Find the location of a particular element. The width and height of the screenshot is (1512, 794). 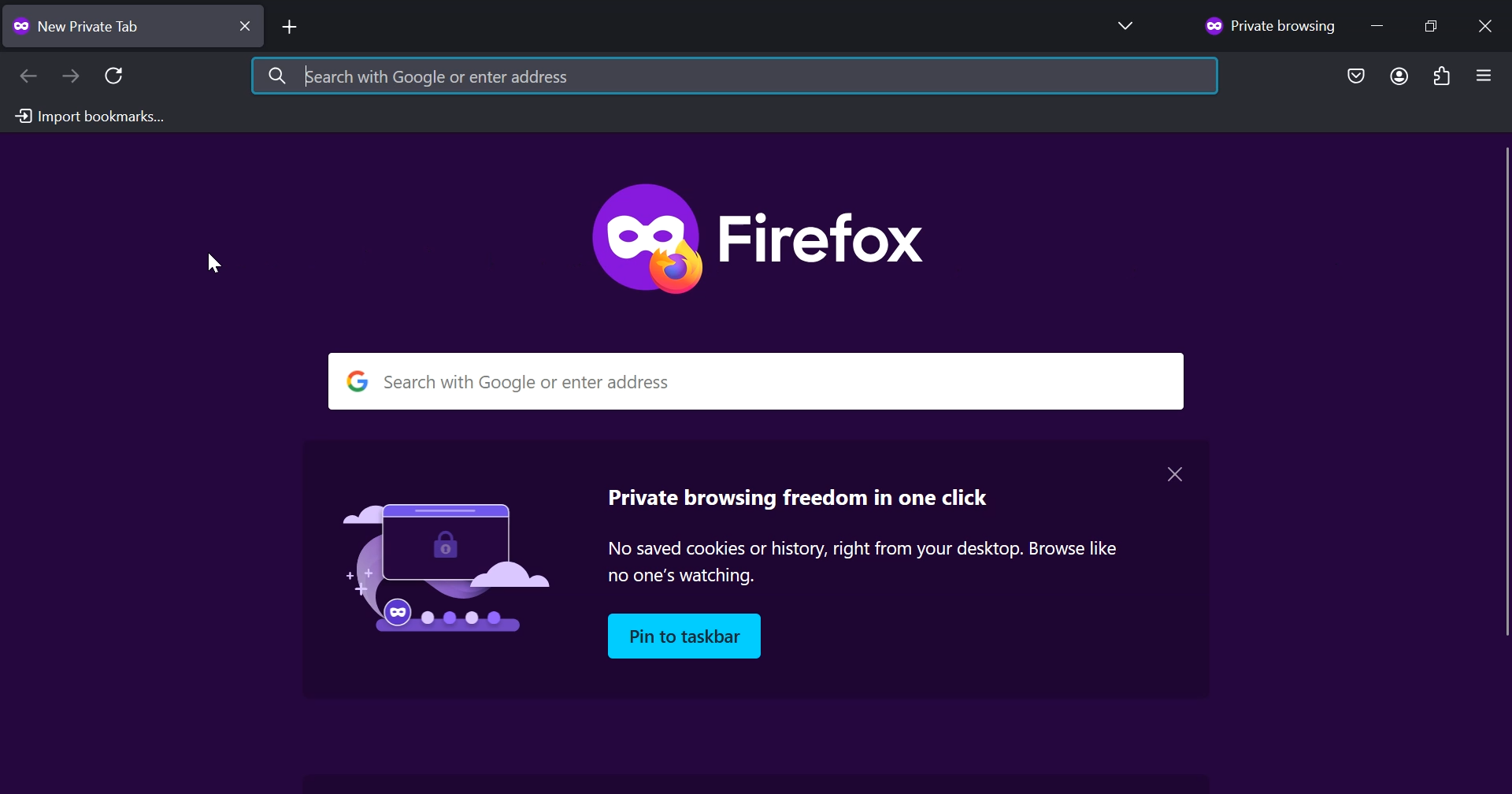

Add New tab is located at coordinates (292, 27).